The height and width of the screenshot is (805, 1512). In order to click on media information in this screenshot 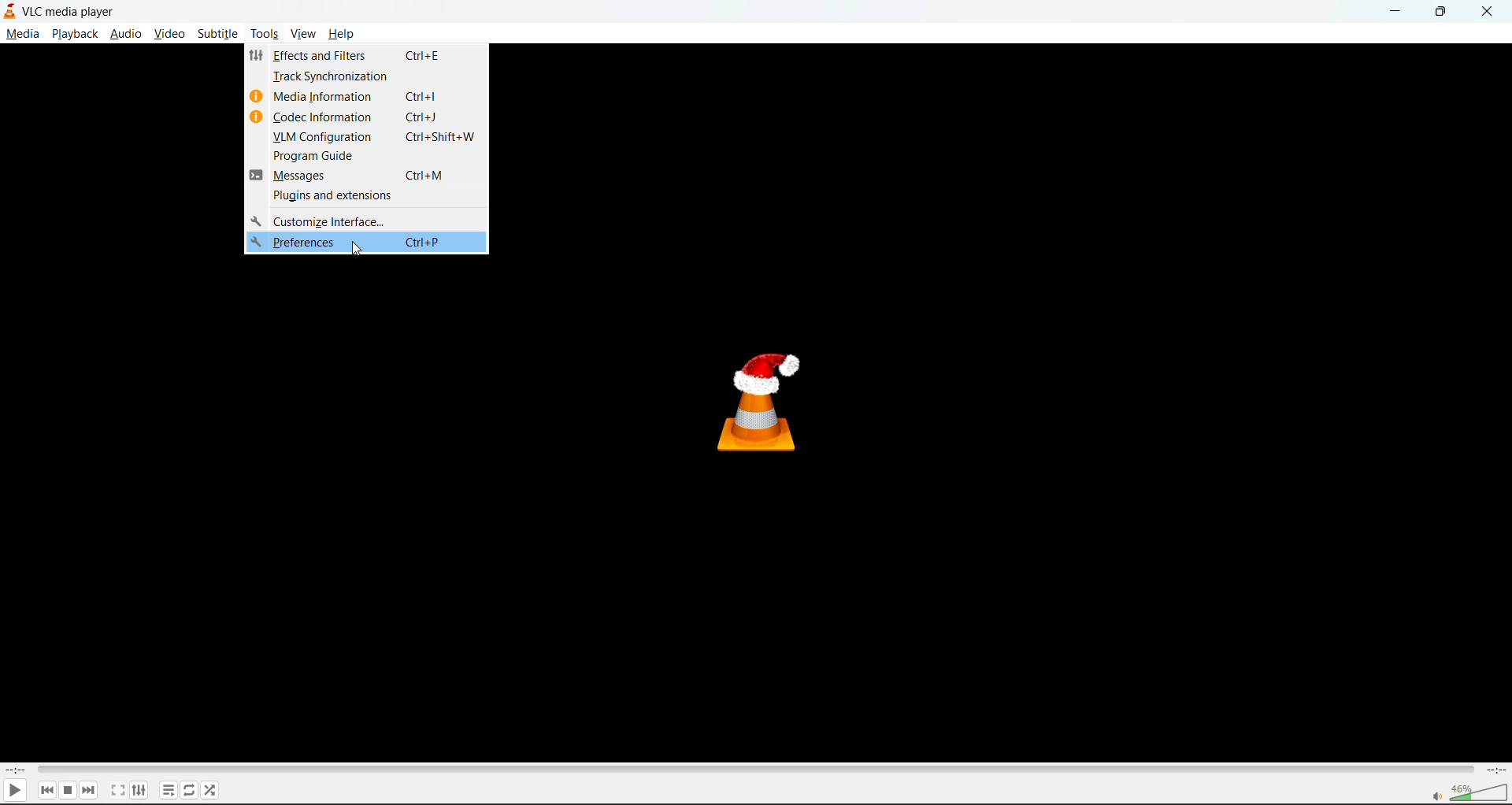, I will do `click(325, 98)`.